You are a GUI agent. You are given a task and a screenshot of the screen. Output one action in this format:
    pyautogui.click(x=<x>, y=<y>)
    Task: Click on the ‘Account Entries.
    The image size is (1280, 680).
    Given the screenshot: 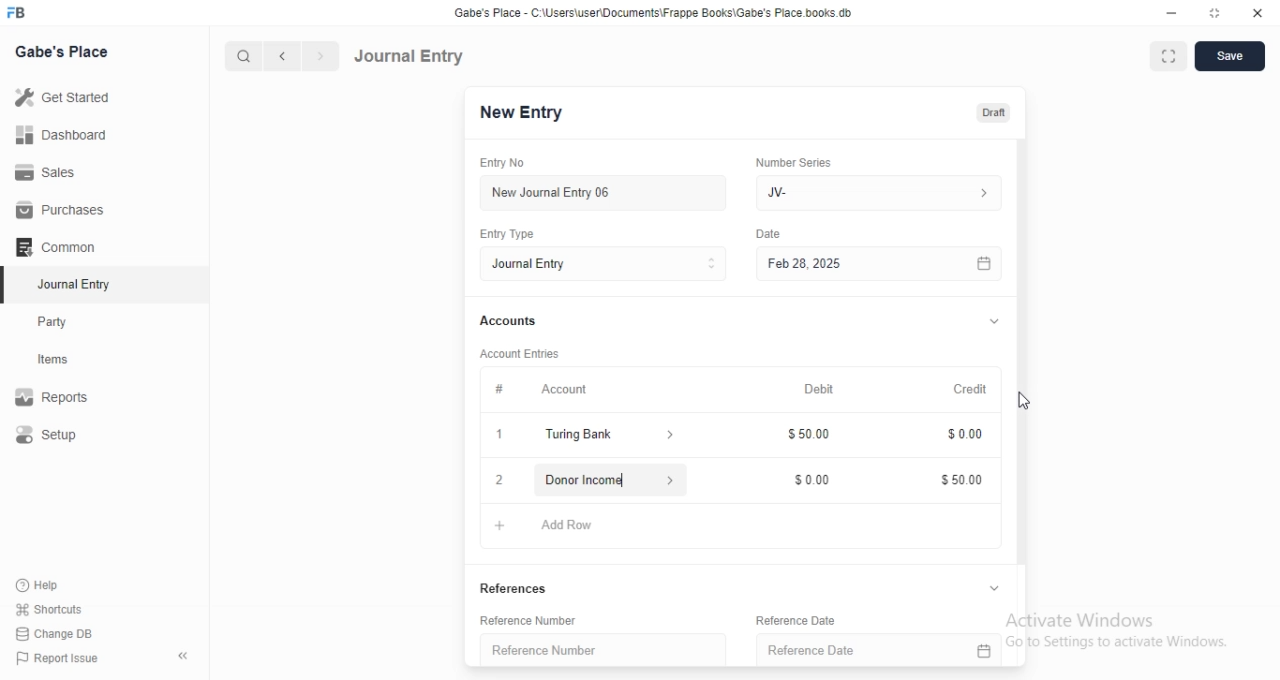 What is the action you would take?
    pyautogui.click(x=528, y=352)
    